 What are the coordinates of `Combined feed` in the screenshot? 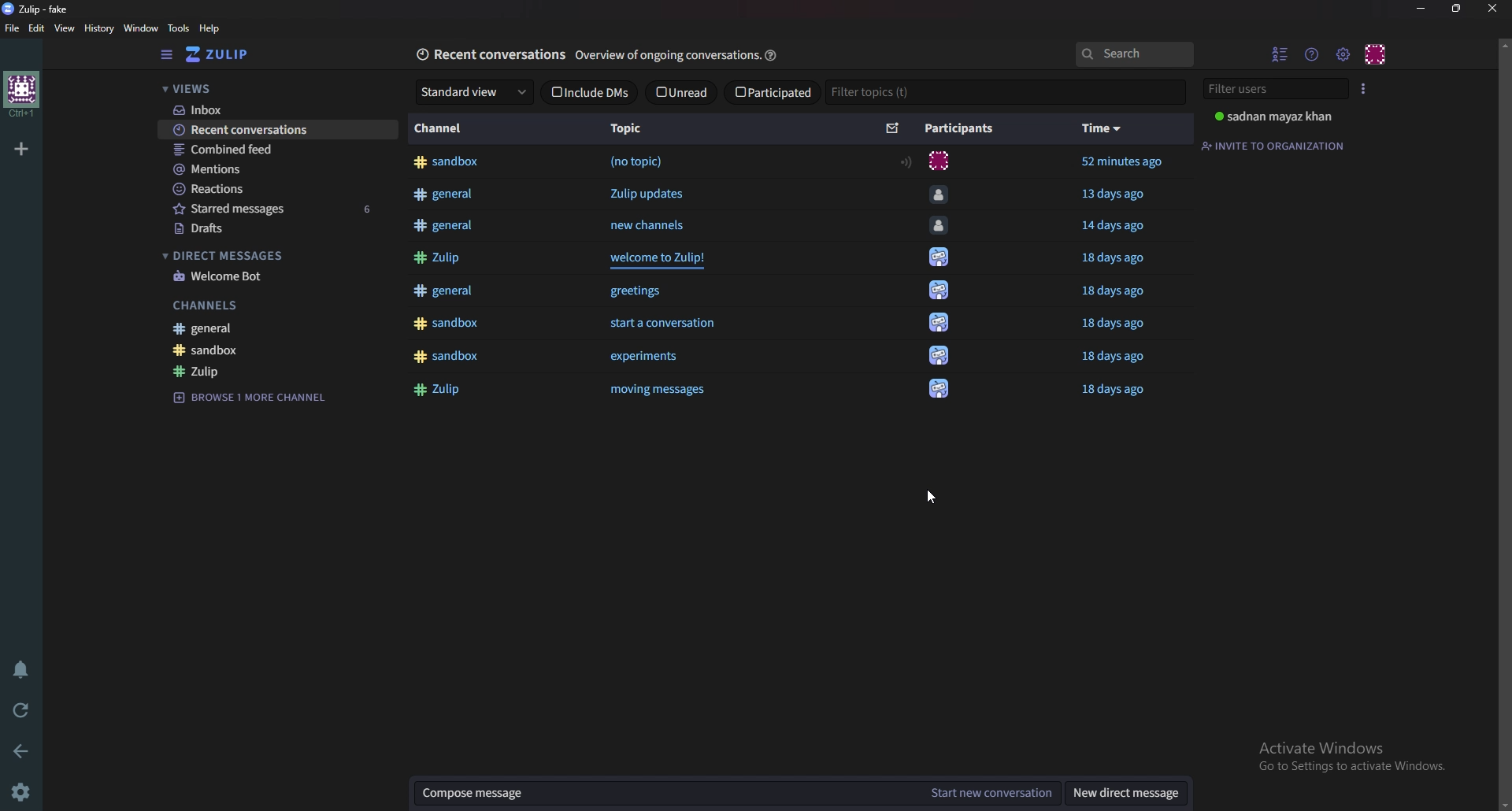 It's located at (271, 150).